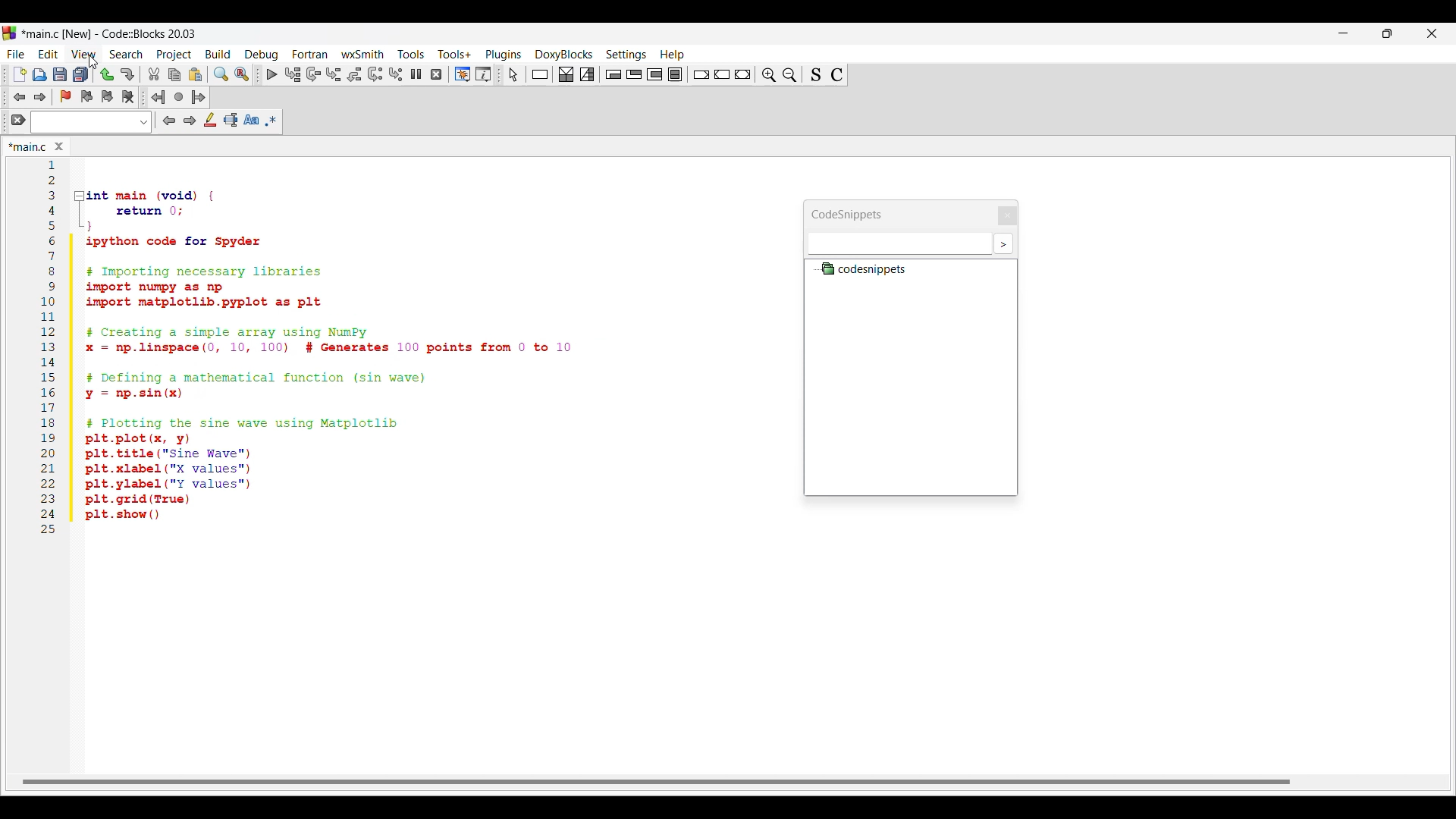 This screenshot has height=819, width=1456. I want to click on Horizontal slide bar, so click(661, 783).